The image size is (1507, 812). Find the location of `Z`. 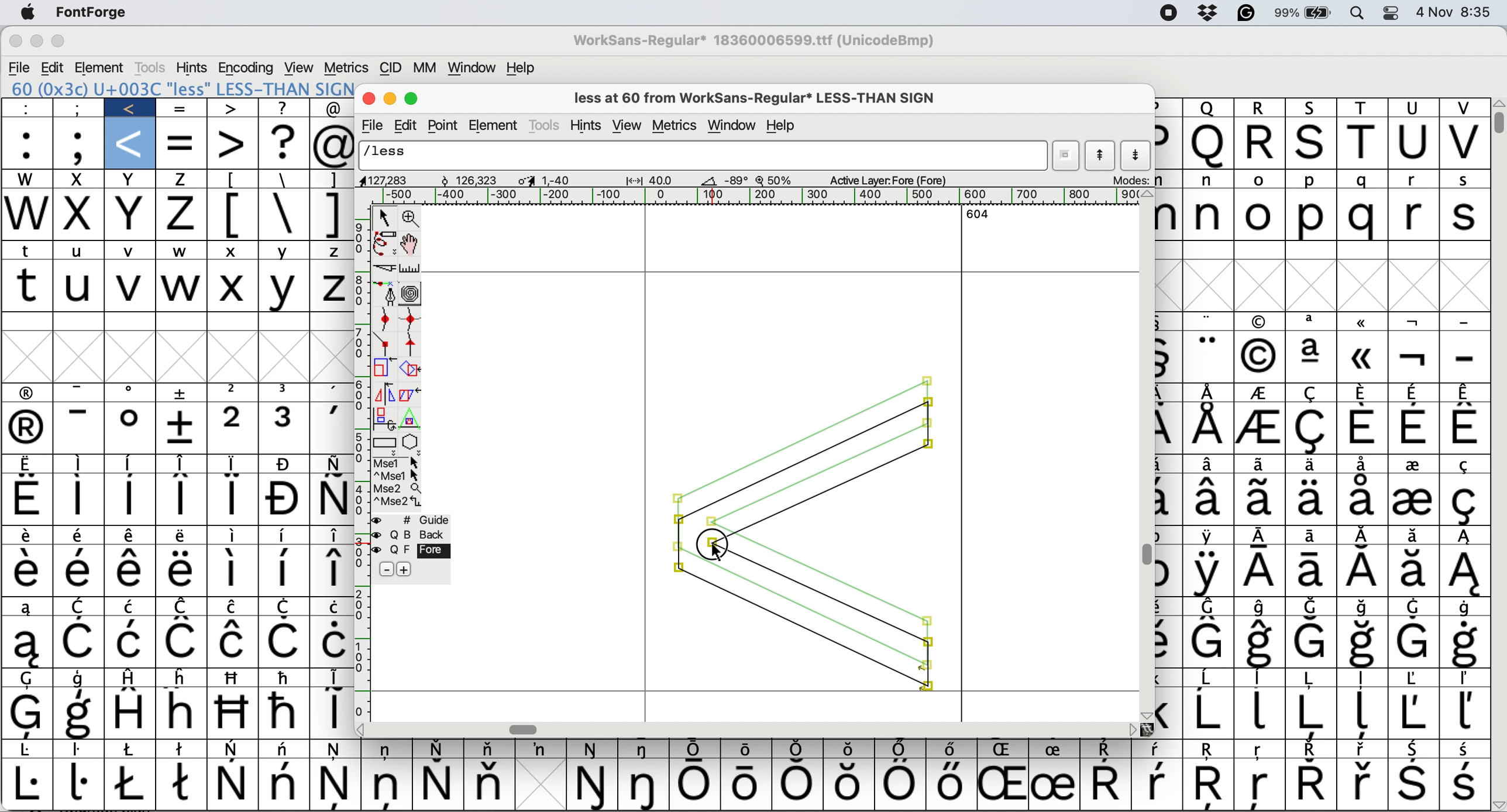

Z is located at coordinates (330, 287).